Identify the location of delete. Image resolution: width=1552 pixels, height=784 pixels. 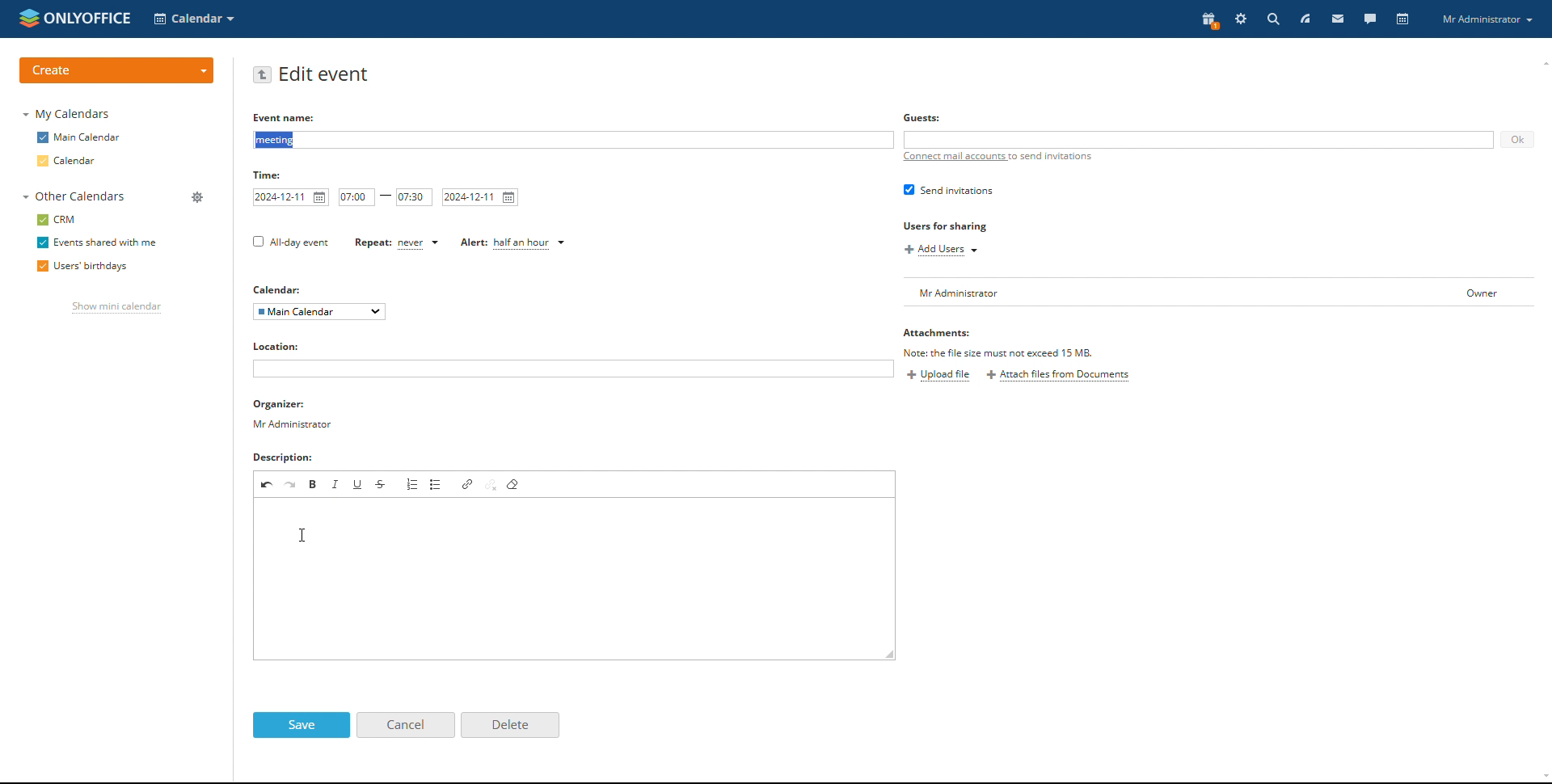
(510, 726).